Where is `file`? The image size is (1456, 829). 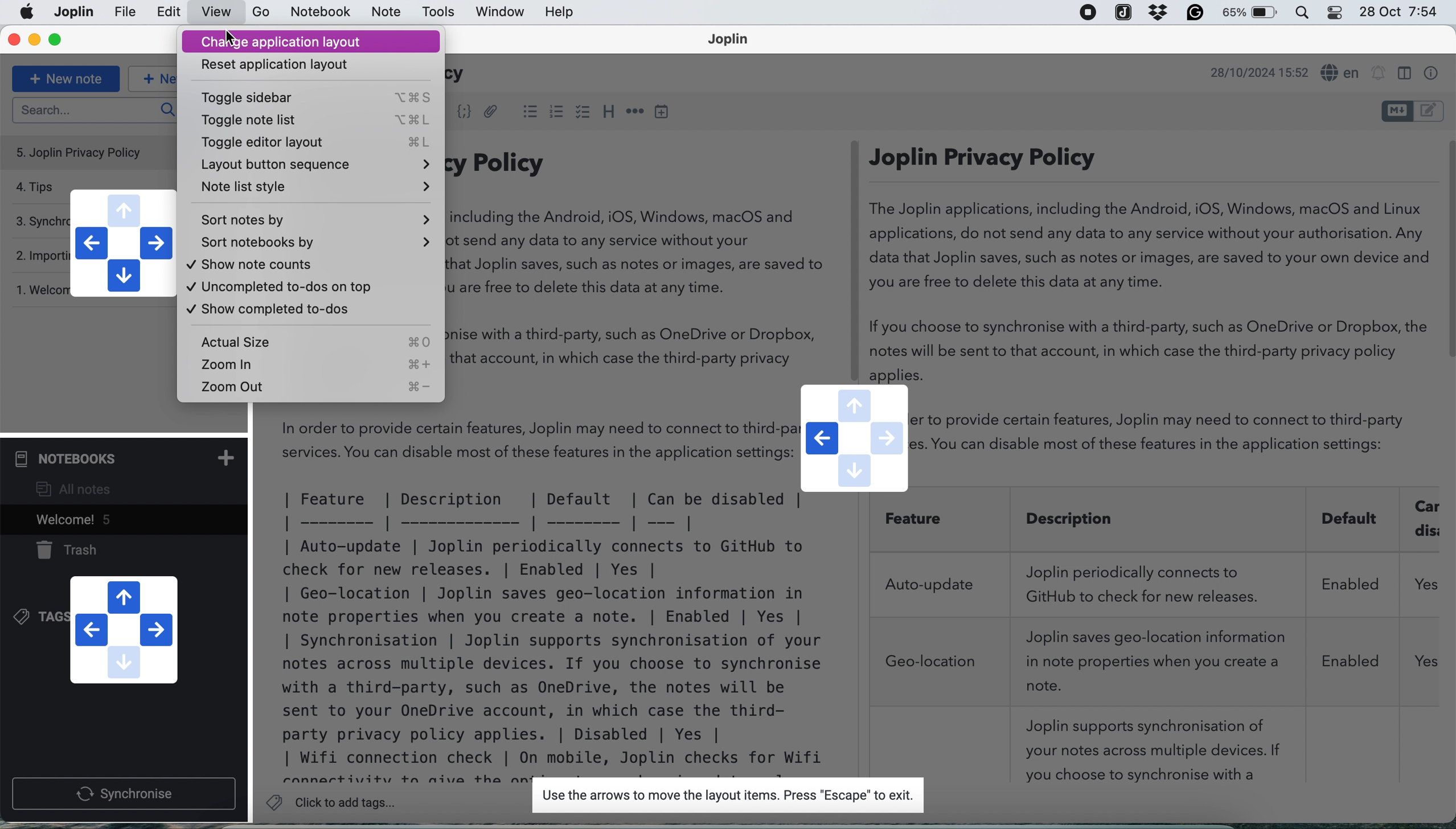
file is located at coordinates (72, 12).